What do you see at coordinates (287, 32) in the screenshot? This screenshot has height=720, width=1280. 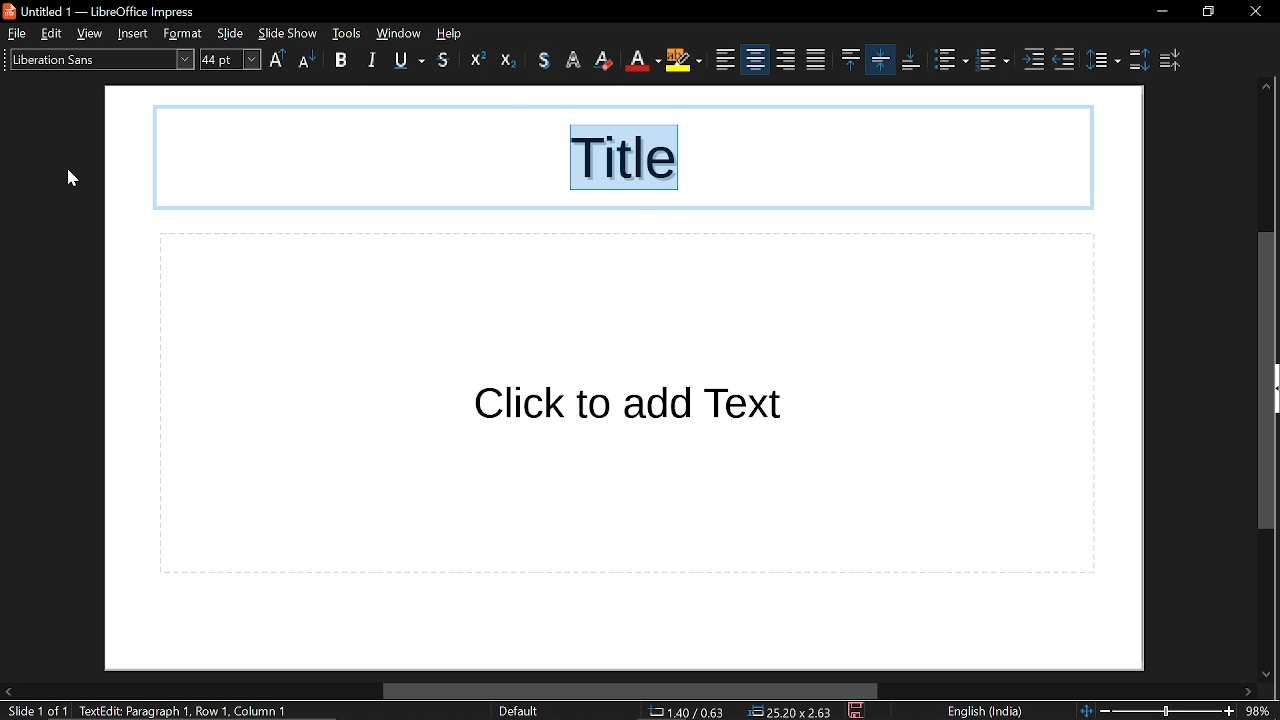 I see `slide show` at bounding box center [287, 32].